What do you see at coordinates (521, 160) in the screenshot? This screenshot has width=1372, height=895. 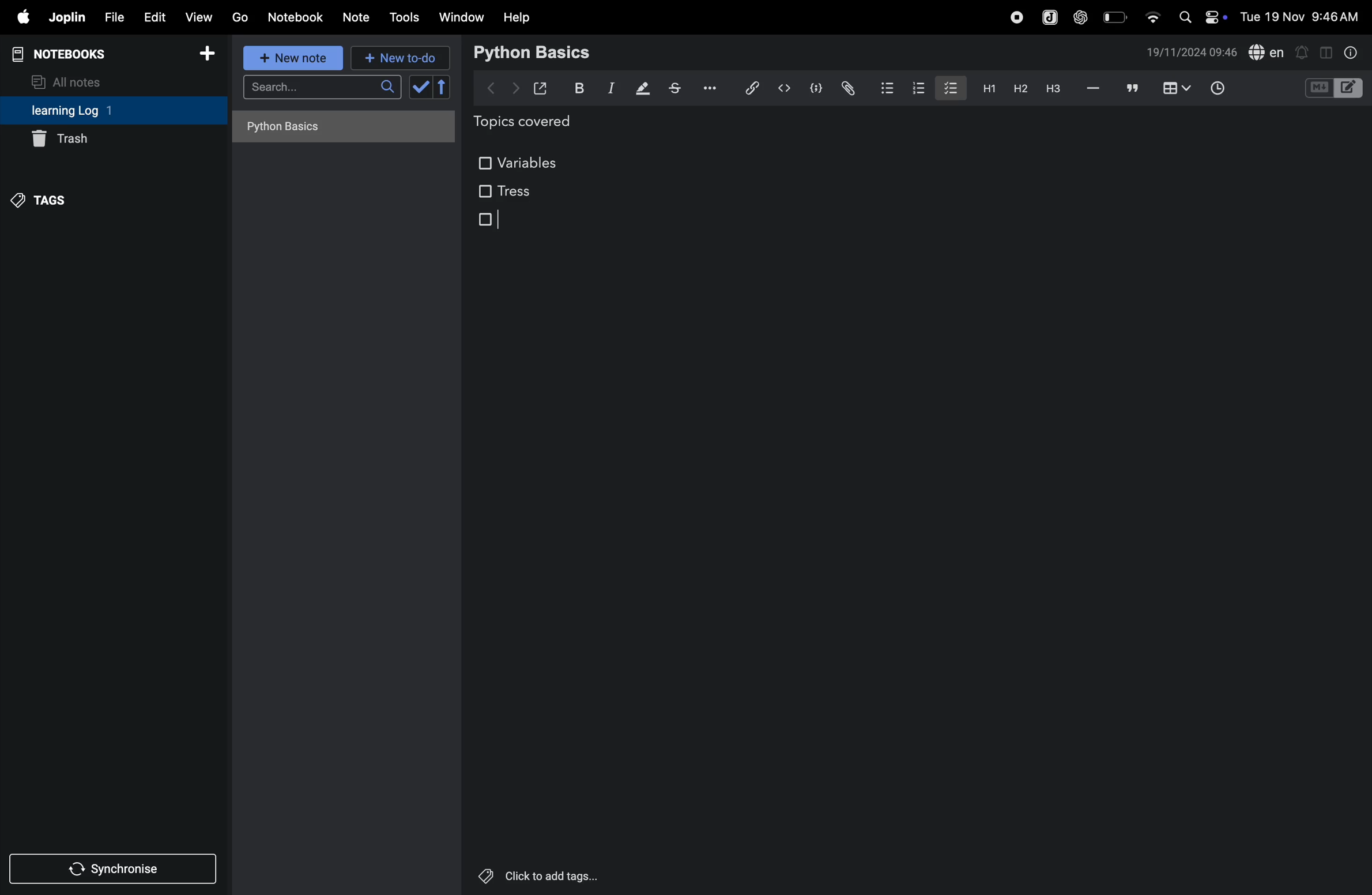 I see `variables` at bounding box center [521, 160].